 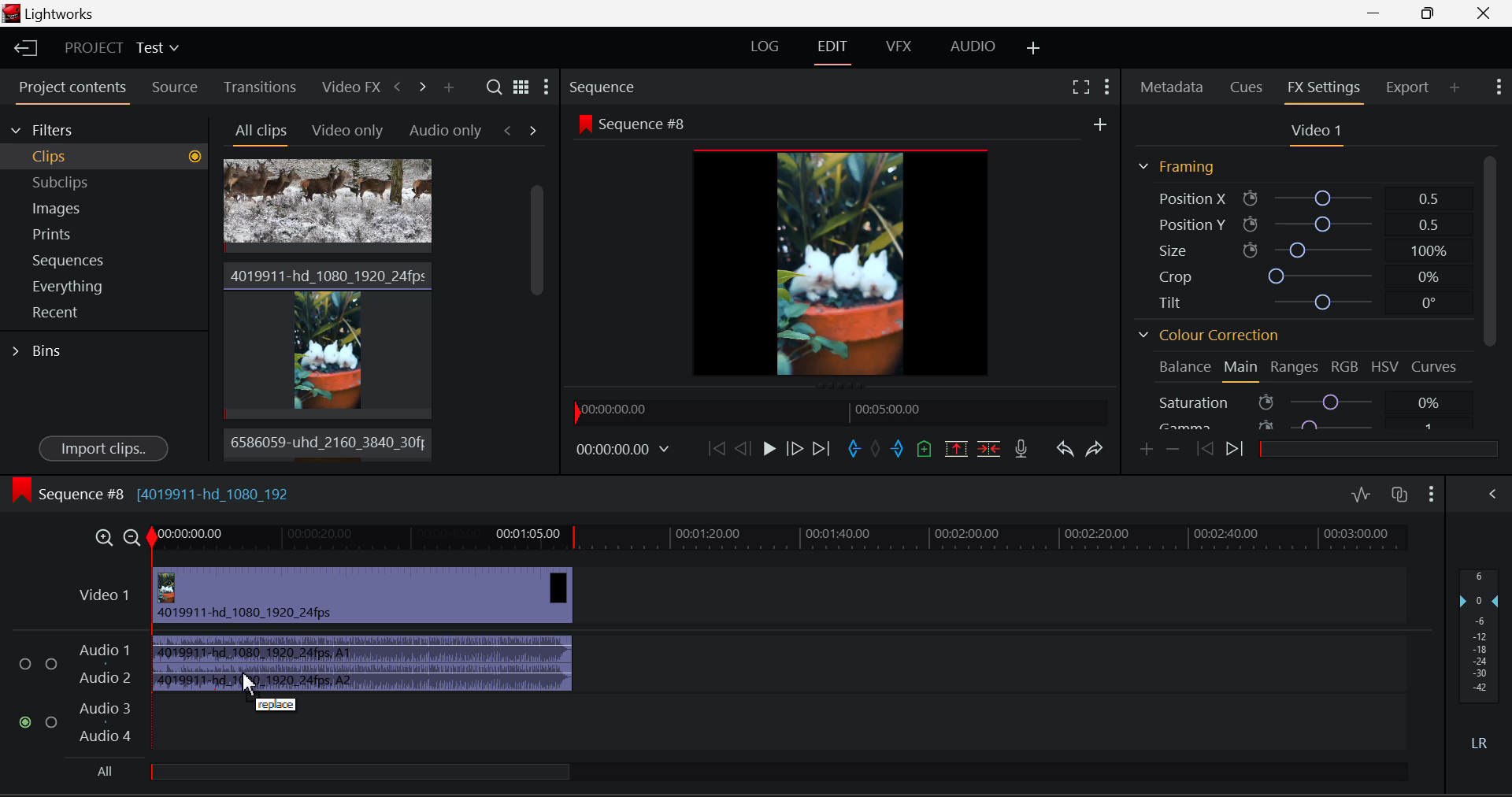 I want to click on Scroll Bar, so click(x=1492, y=287).